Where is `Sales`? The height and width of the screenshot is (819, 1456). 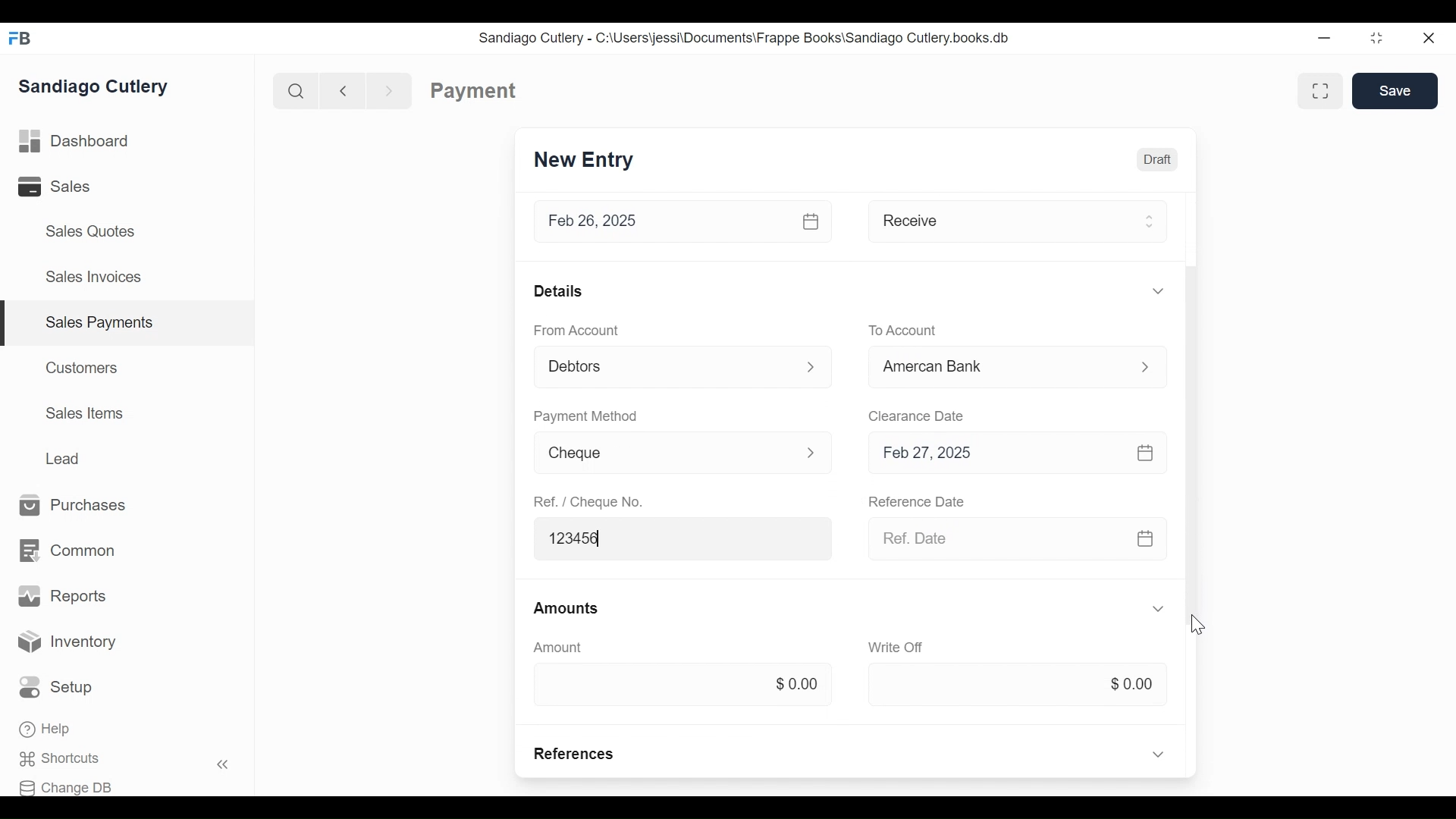 Sales is located at coordinates (65, 187).